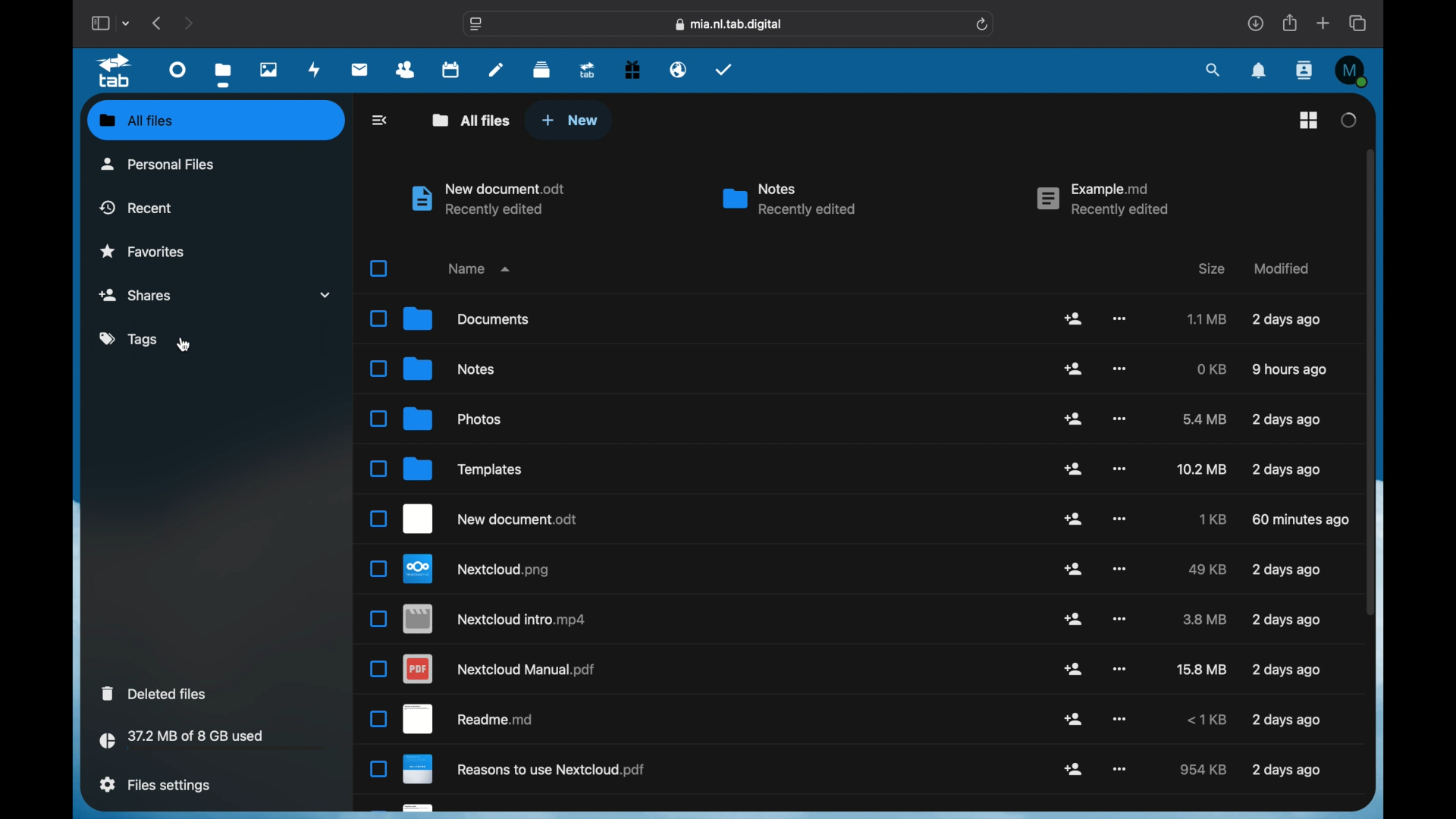 Image resolution: width=1456 pixels, height=819 pixels. What do you see at coordinates (1348, 120) in the screenshot?
I see `loading` at bounding box center [1348, 120].